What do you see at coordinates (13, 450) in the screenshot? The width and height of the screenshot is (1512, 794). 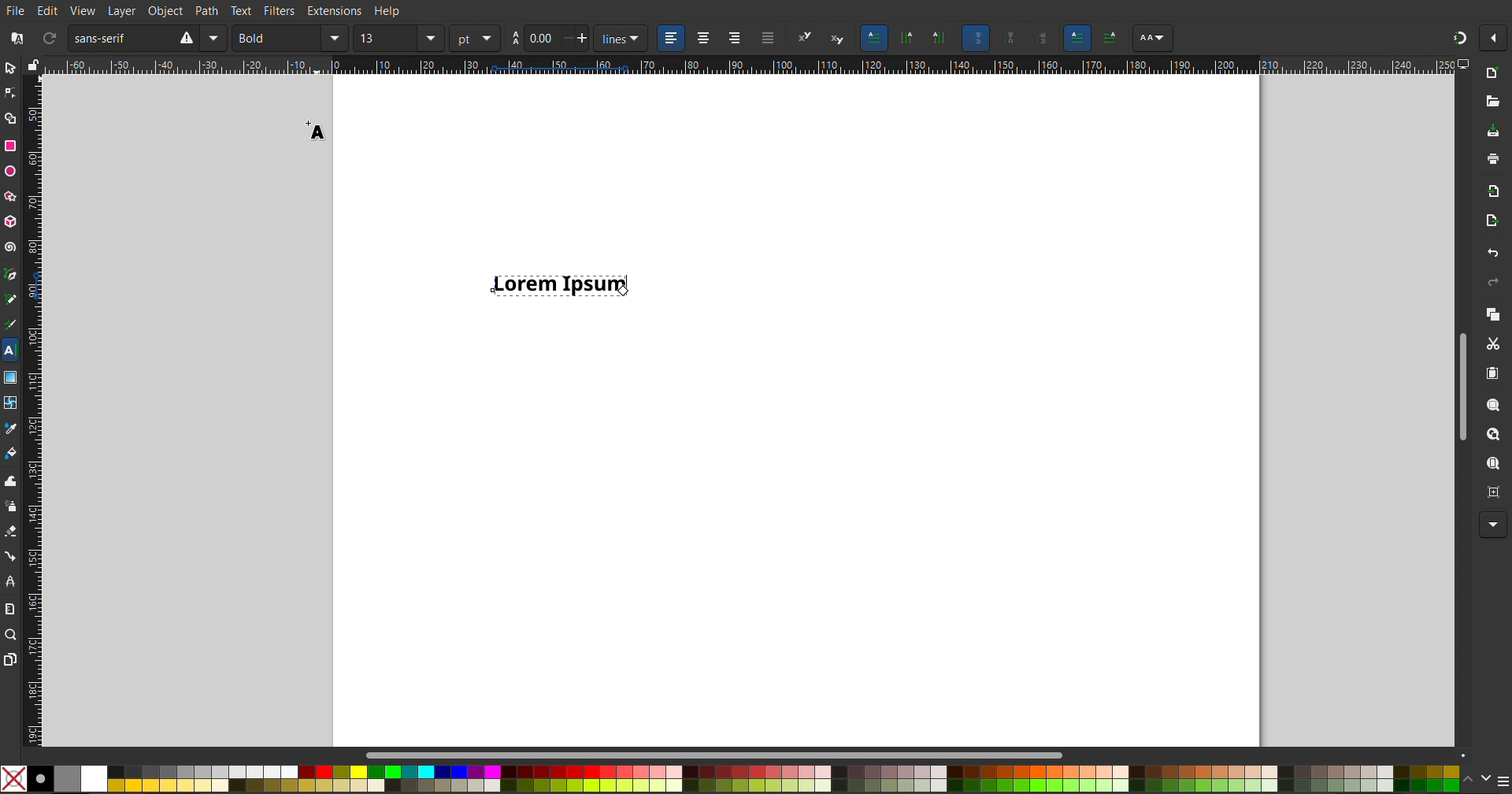 I see `Paint Bucket Tool` at bounding box center [13, 450].